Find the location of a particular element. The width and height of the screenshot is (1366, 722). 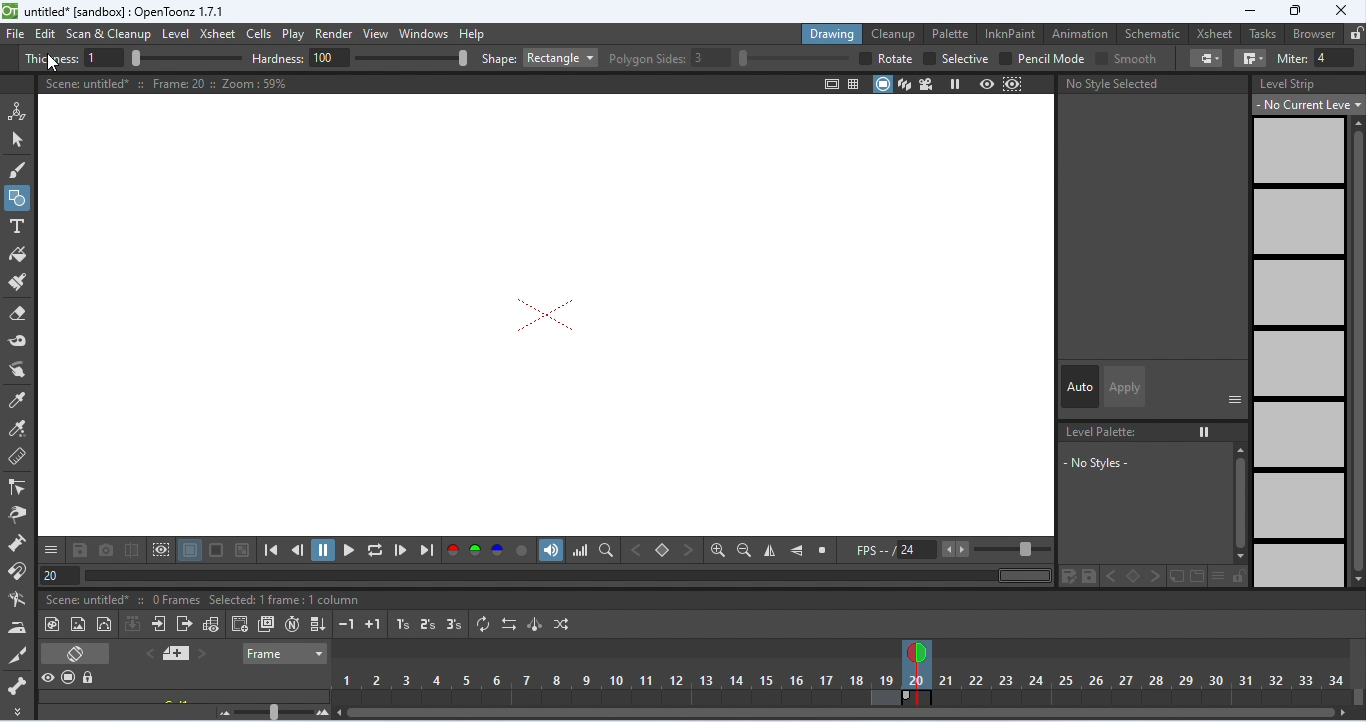

join is located at coordinates (1247, 58).